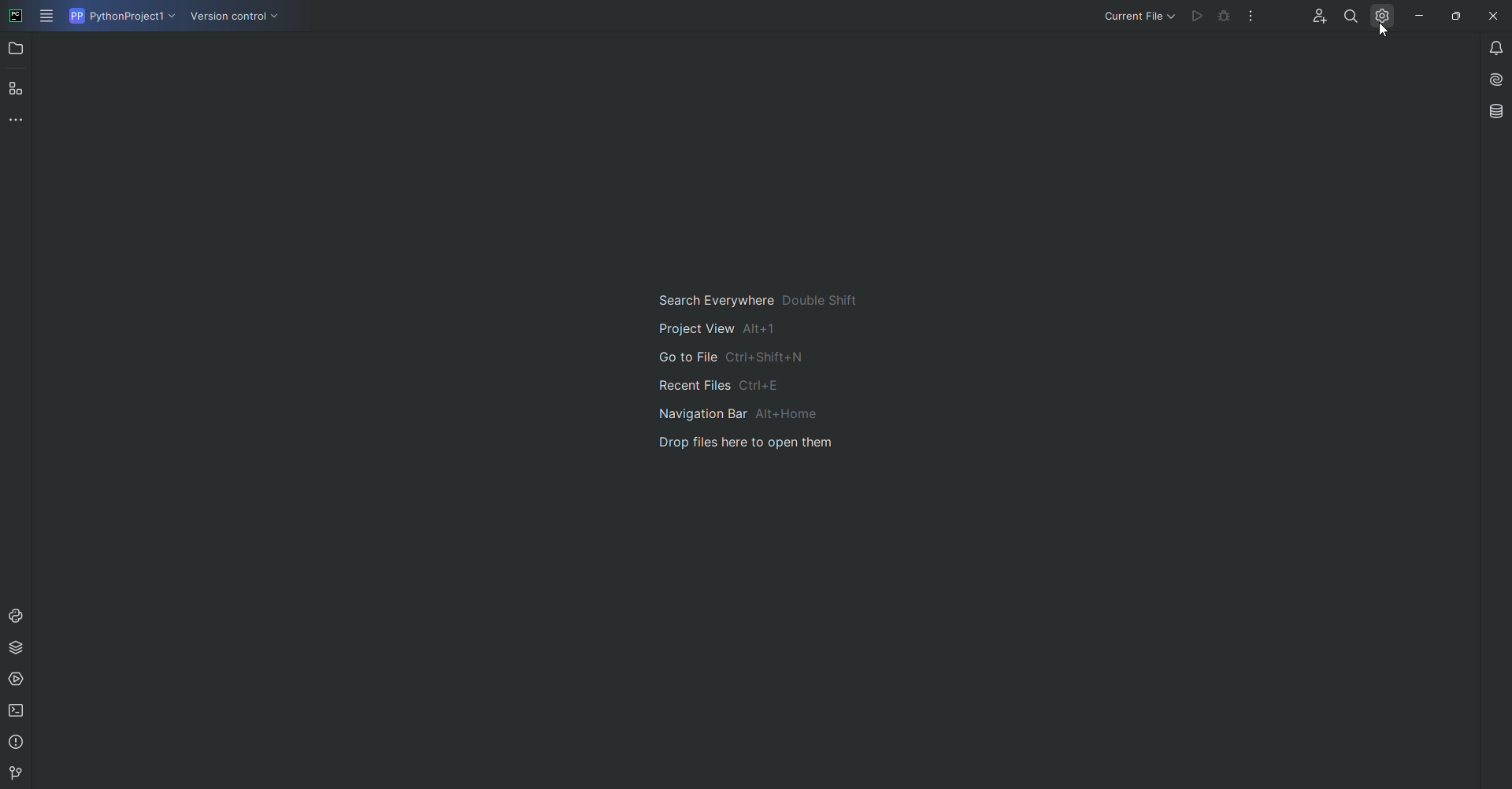 The image size is (1512, 789). I want to click on Settings, so click(1379, 15).